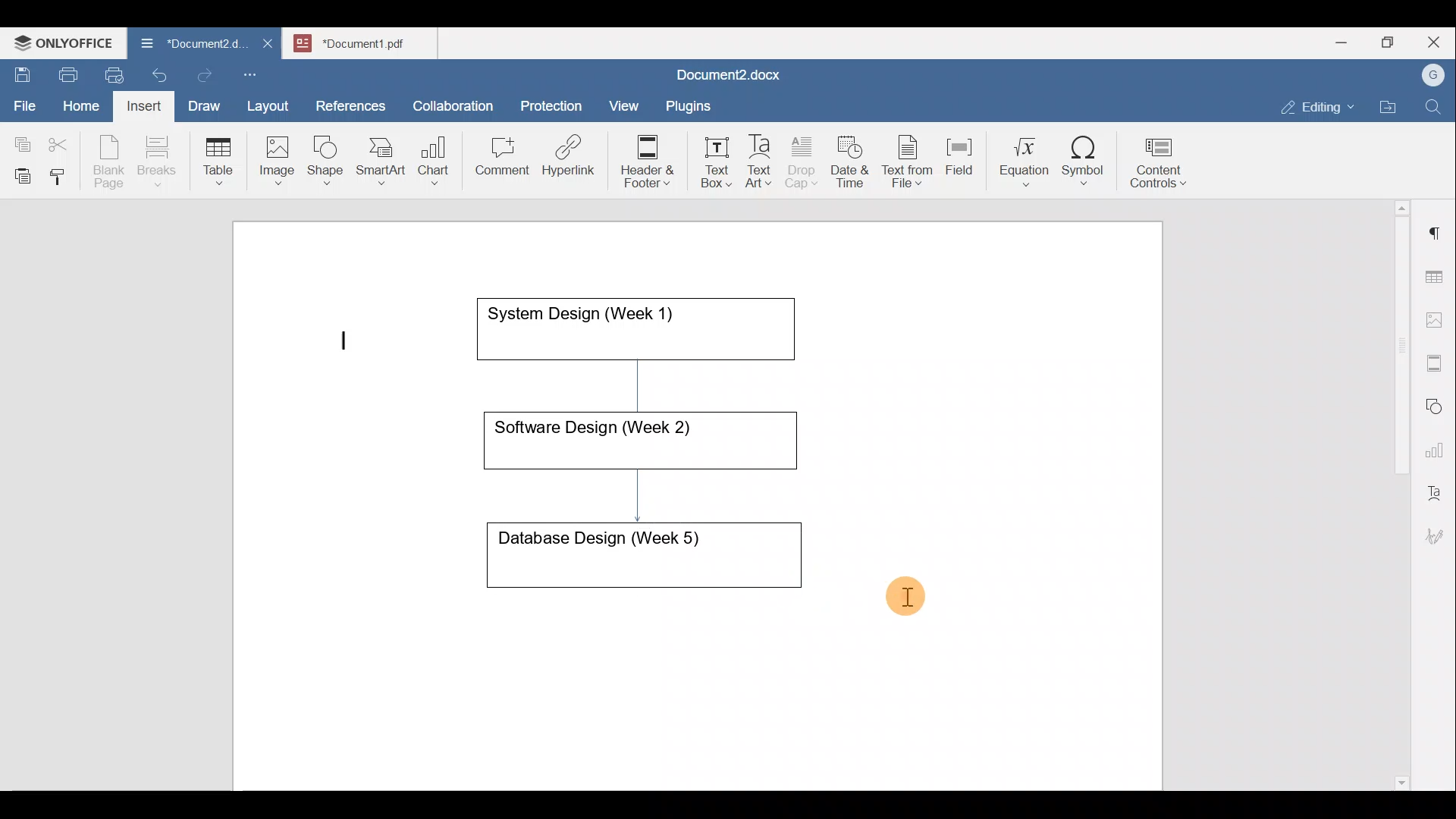 The image size is (1456, 819). Describe the element at coordinates (185, 45) in the screenshot. I see `Document name` at that location.